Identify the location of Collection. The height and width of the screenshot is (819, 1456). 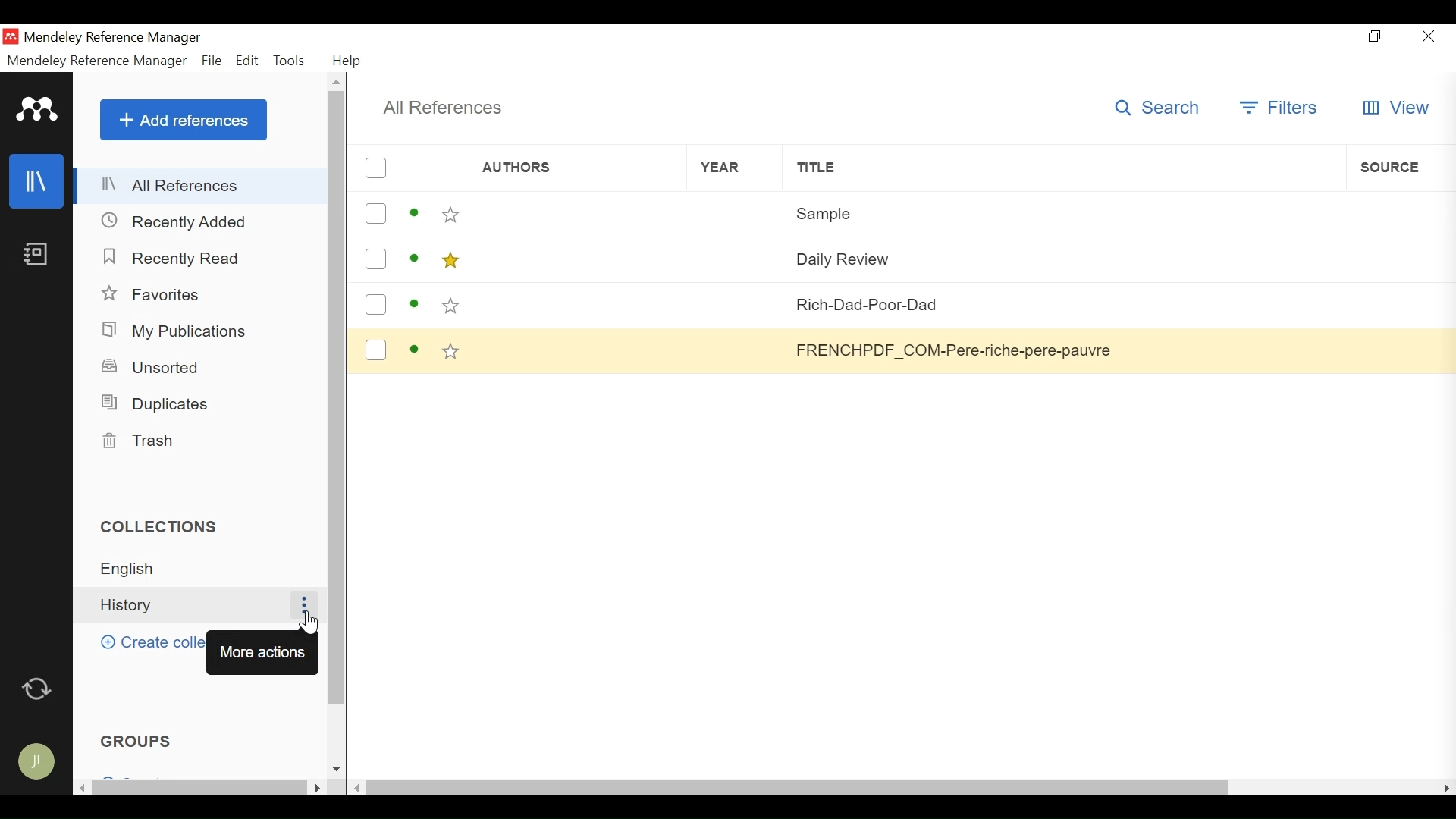
(188, 605).